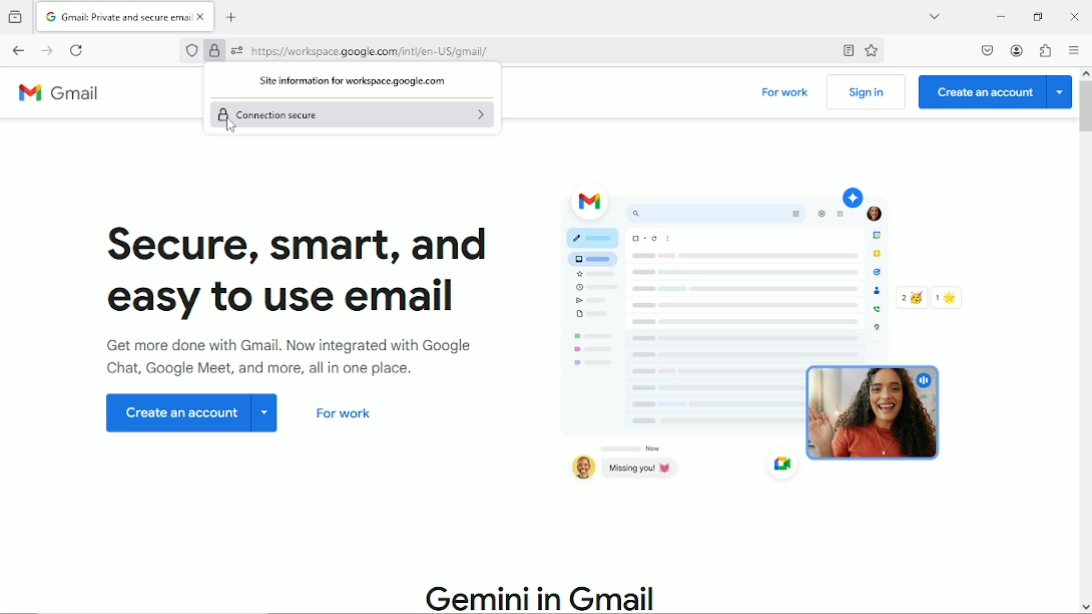 The image size is (1092, 614). Describe the element at coordinates (297, 357) in the screenshot. I see `Get more done with Gmail. Now integrated with Google chat, Google meet and more all in one place.` at that location.